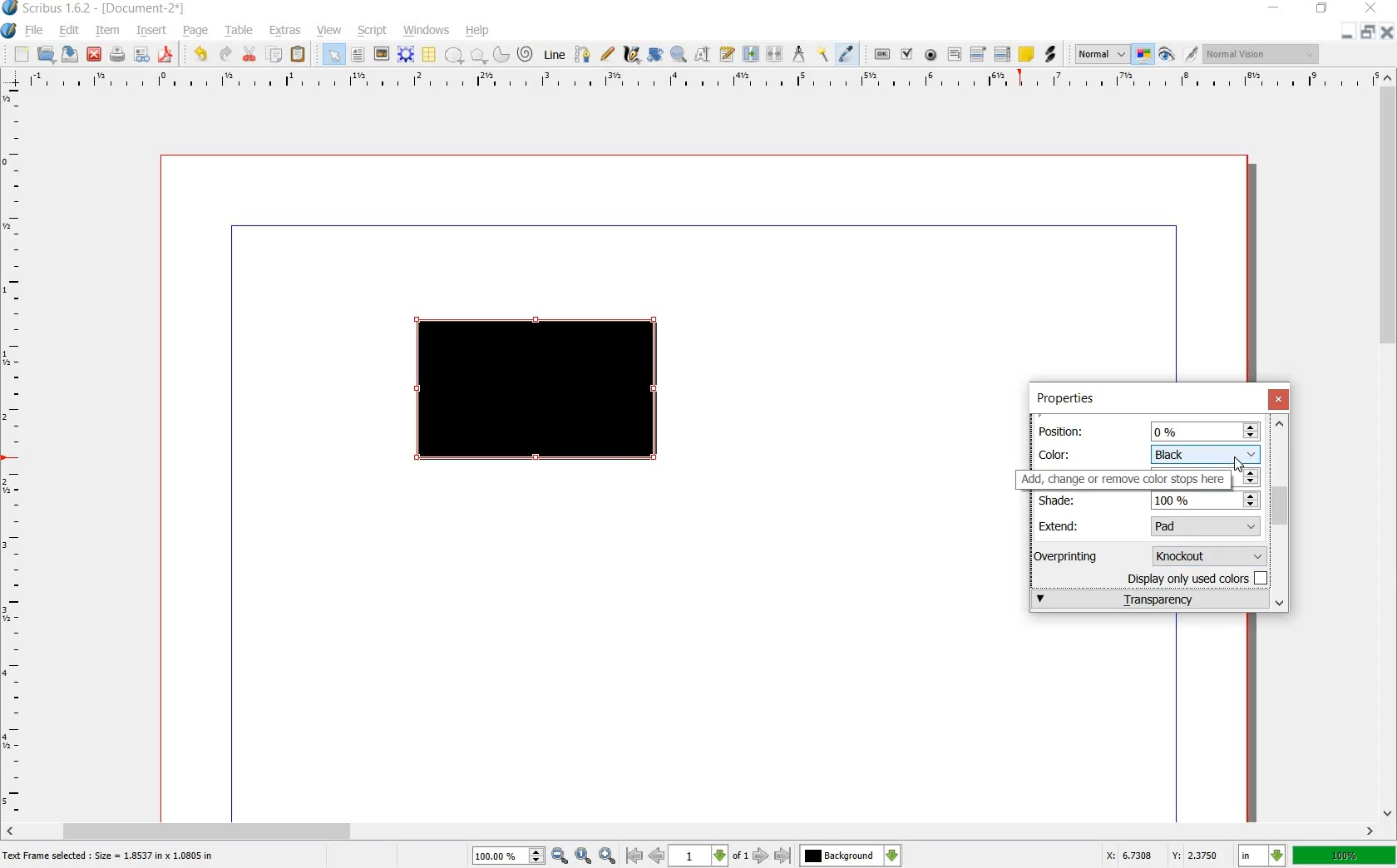 The height and width of the screenshot is (868, 1397). Describe the element at coordinates (430, 55) in the screenshot. I see `table` at that location.